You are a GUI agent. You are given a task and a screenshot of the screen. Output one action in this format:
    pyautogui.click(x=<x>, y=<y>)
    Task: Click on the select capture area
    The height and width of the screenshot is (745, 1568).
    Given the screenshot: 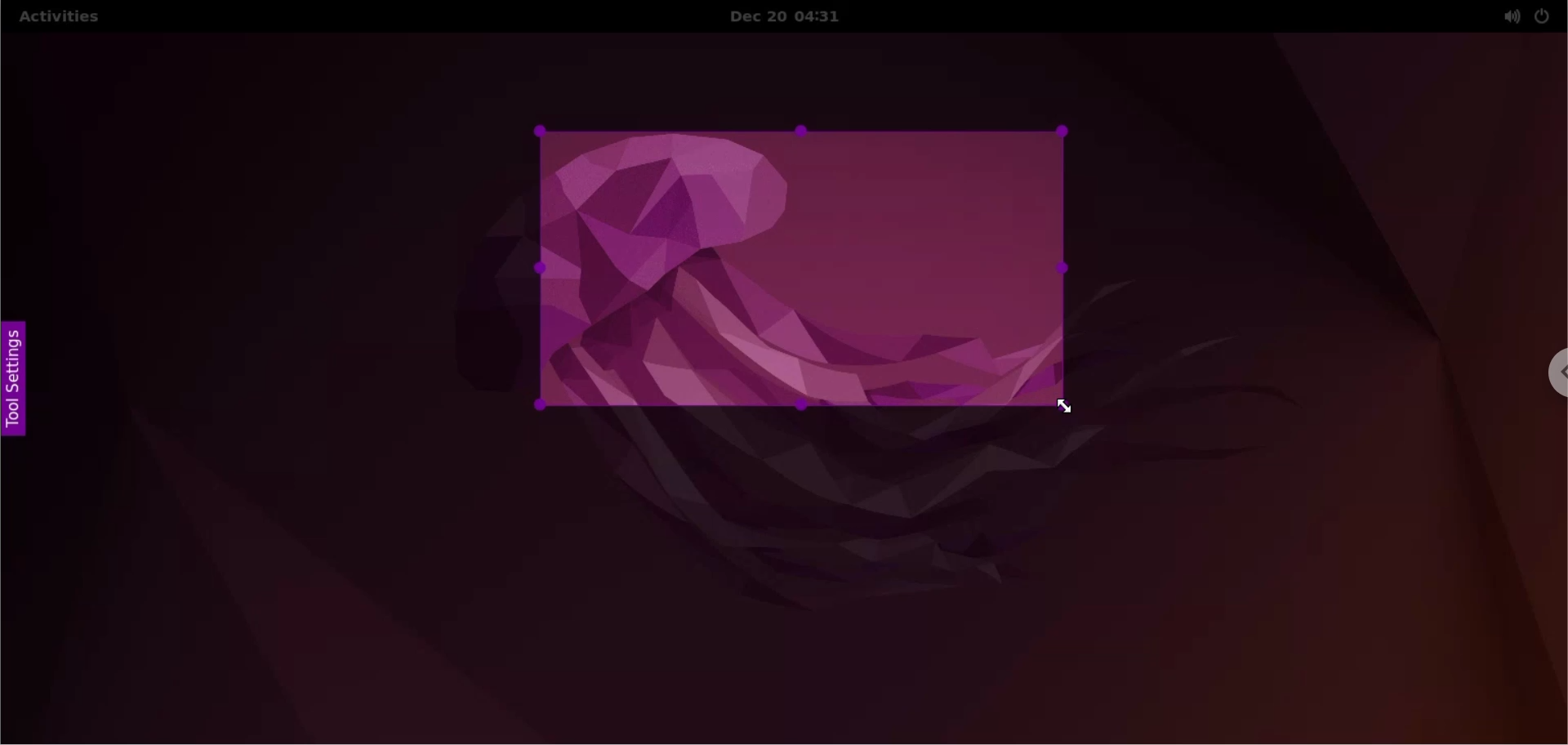 What is the action you would take?
    pyautogui.click(x=796, y=268)
    